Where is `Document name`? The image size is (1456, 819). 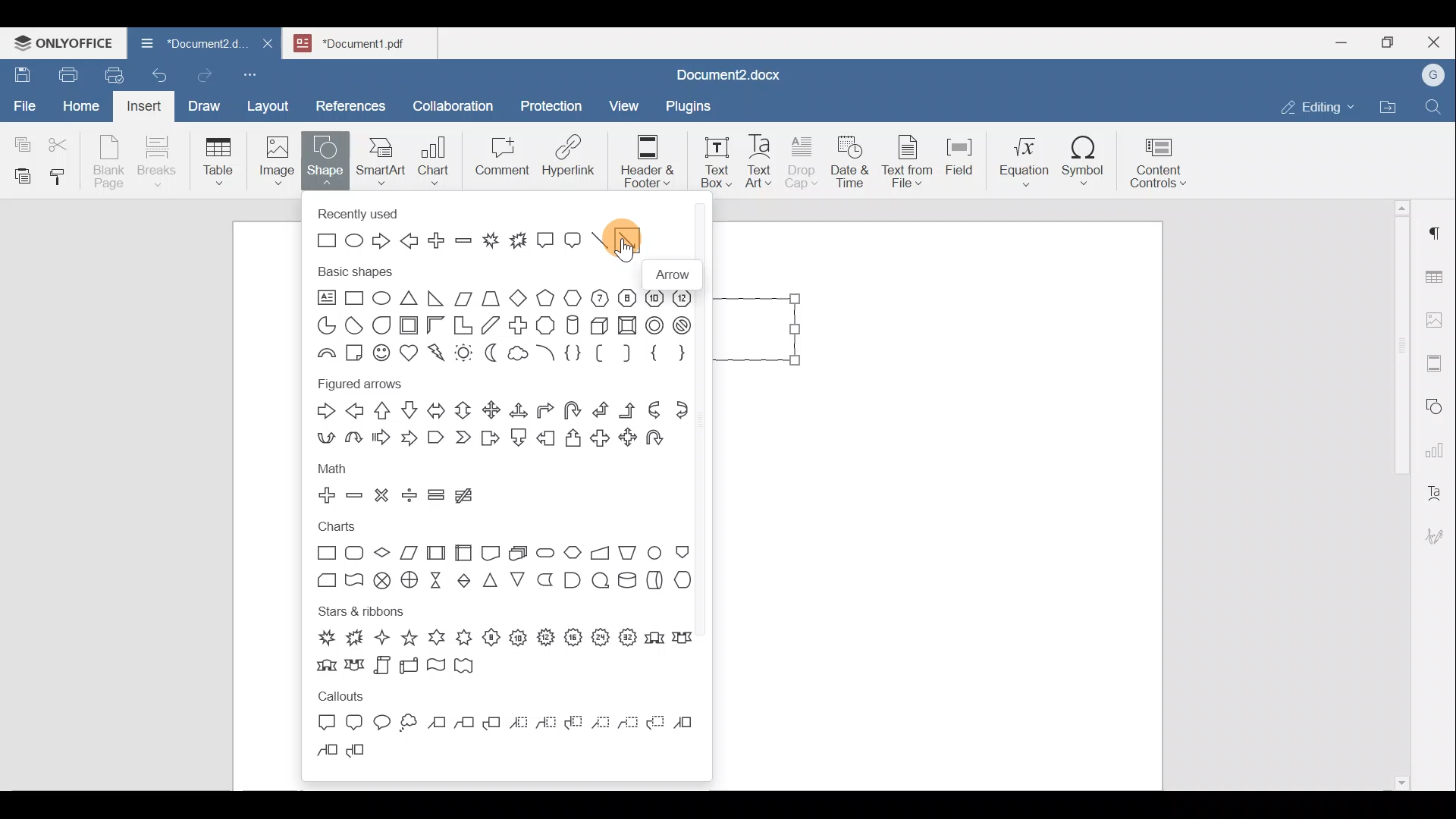
Document name is located at coordinates (369, 41).